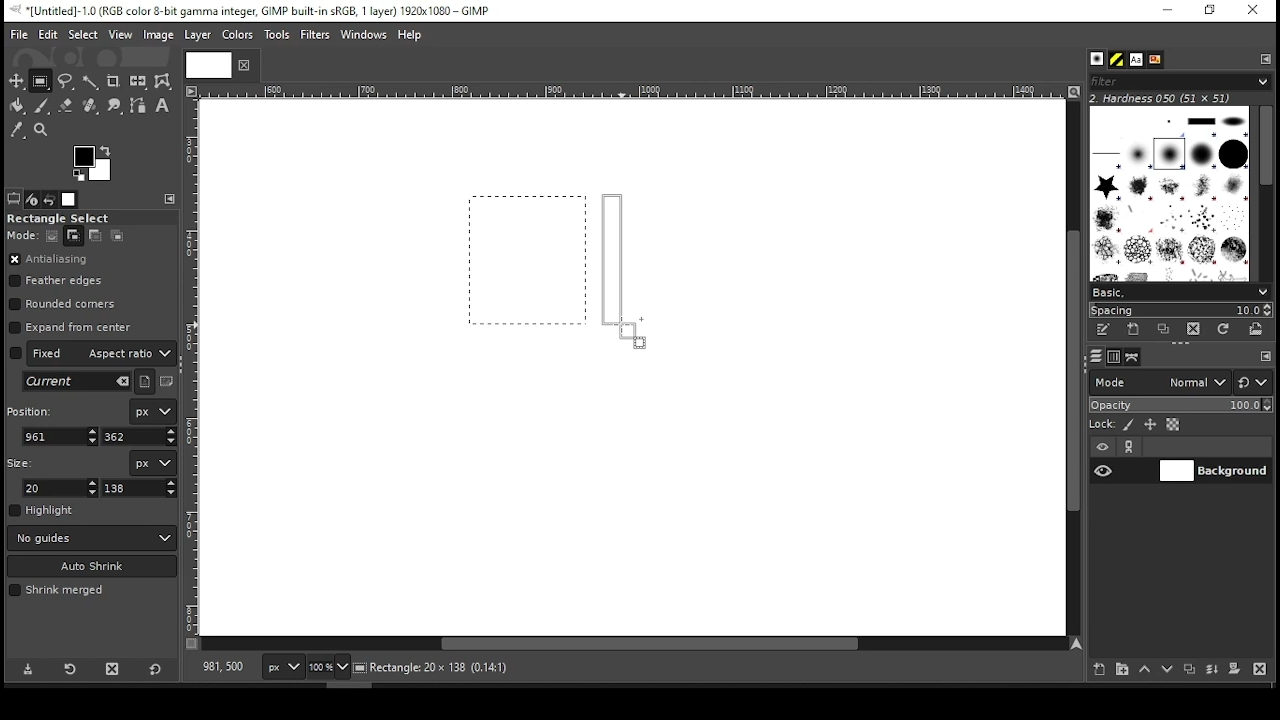 The image size is (1280, 720). Describe the element at coordinates (33, 409) in the screenshot. I see `position` at that location.